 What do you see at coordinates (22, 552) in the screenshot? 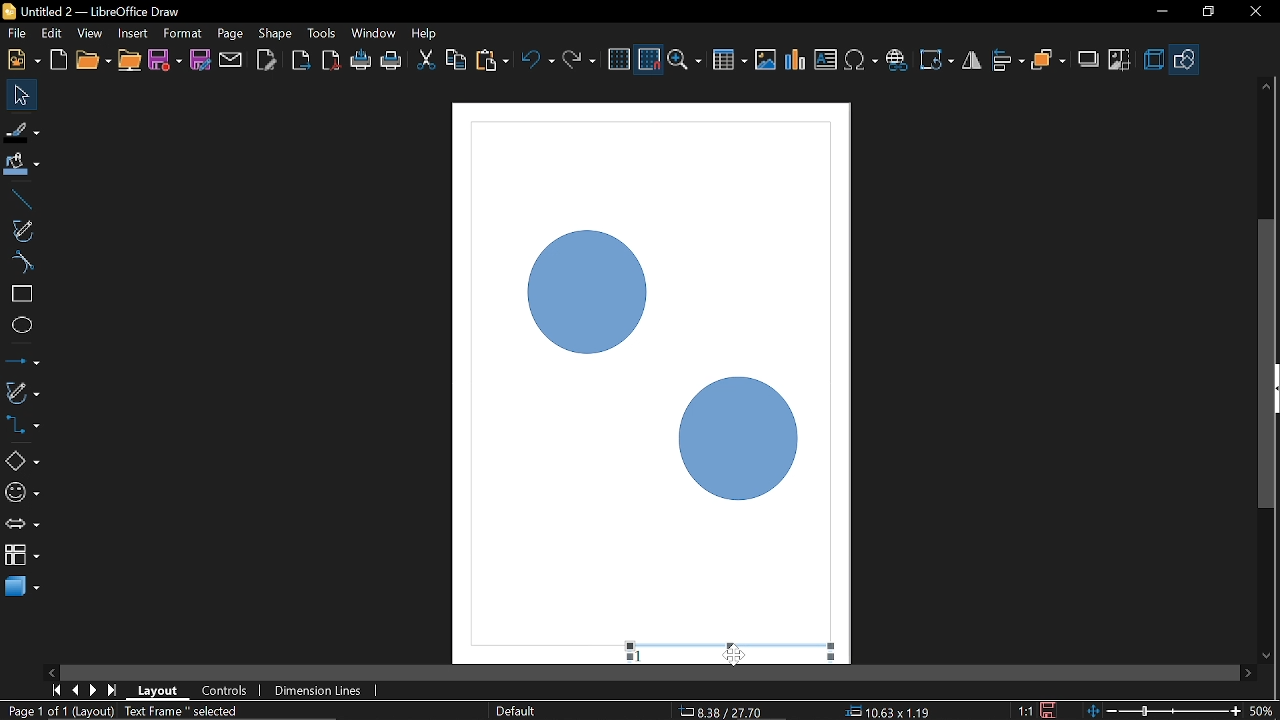
I see `Flowchart` at bounding box center [22, 552].